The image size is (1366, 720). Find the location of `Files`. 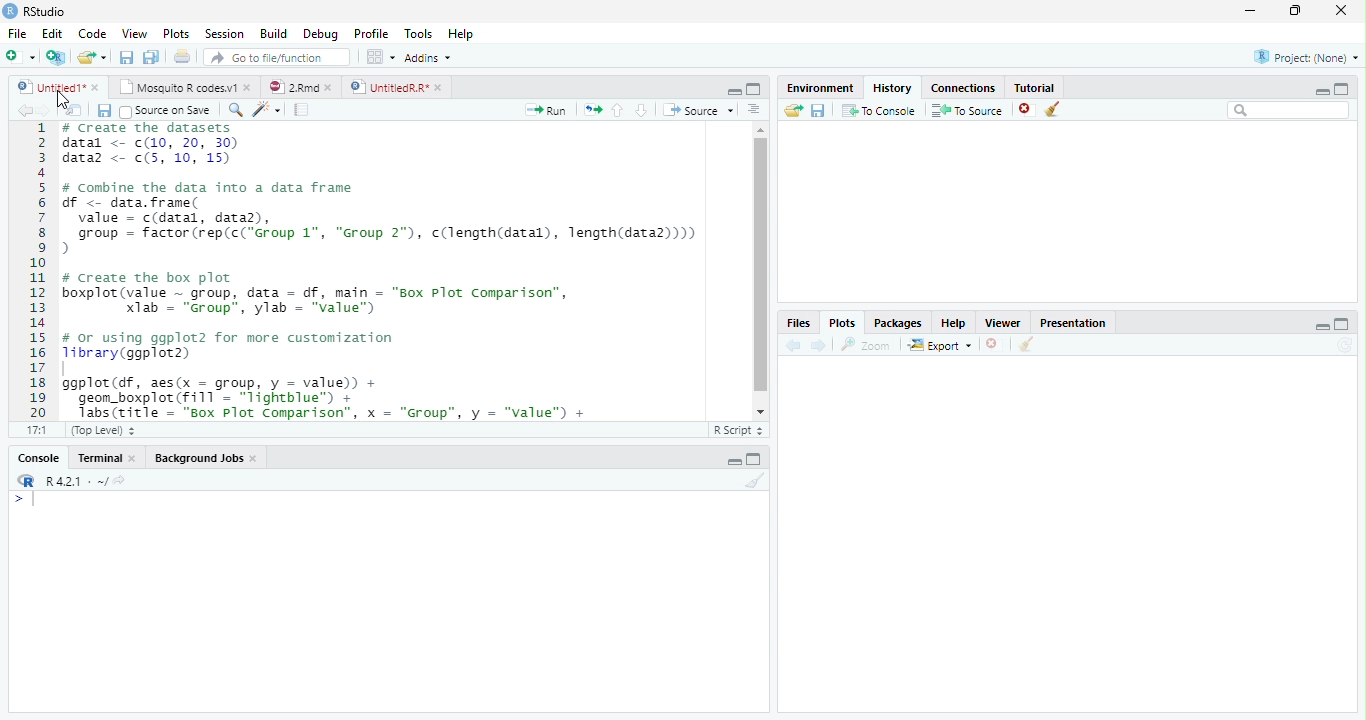

Files is located at coordinates (800, 322).